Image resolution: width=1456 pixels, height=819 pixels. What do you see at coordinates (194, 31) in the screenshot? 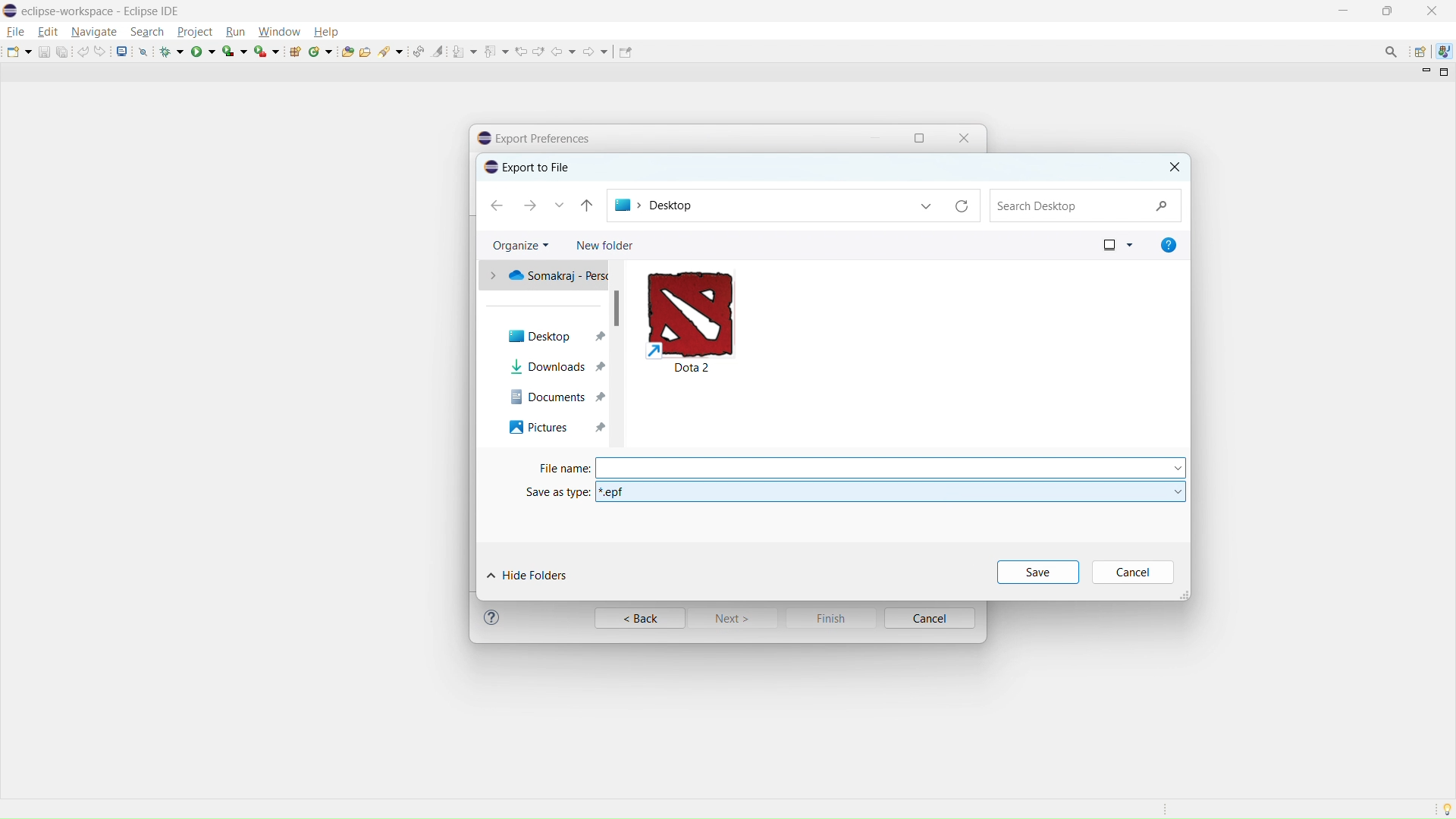
I see `project` at bounding box center [194, 31].